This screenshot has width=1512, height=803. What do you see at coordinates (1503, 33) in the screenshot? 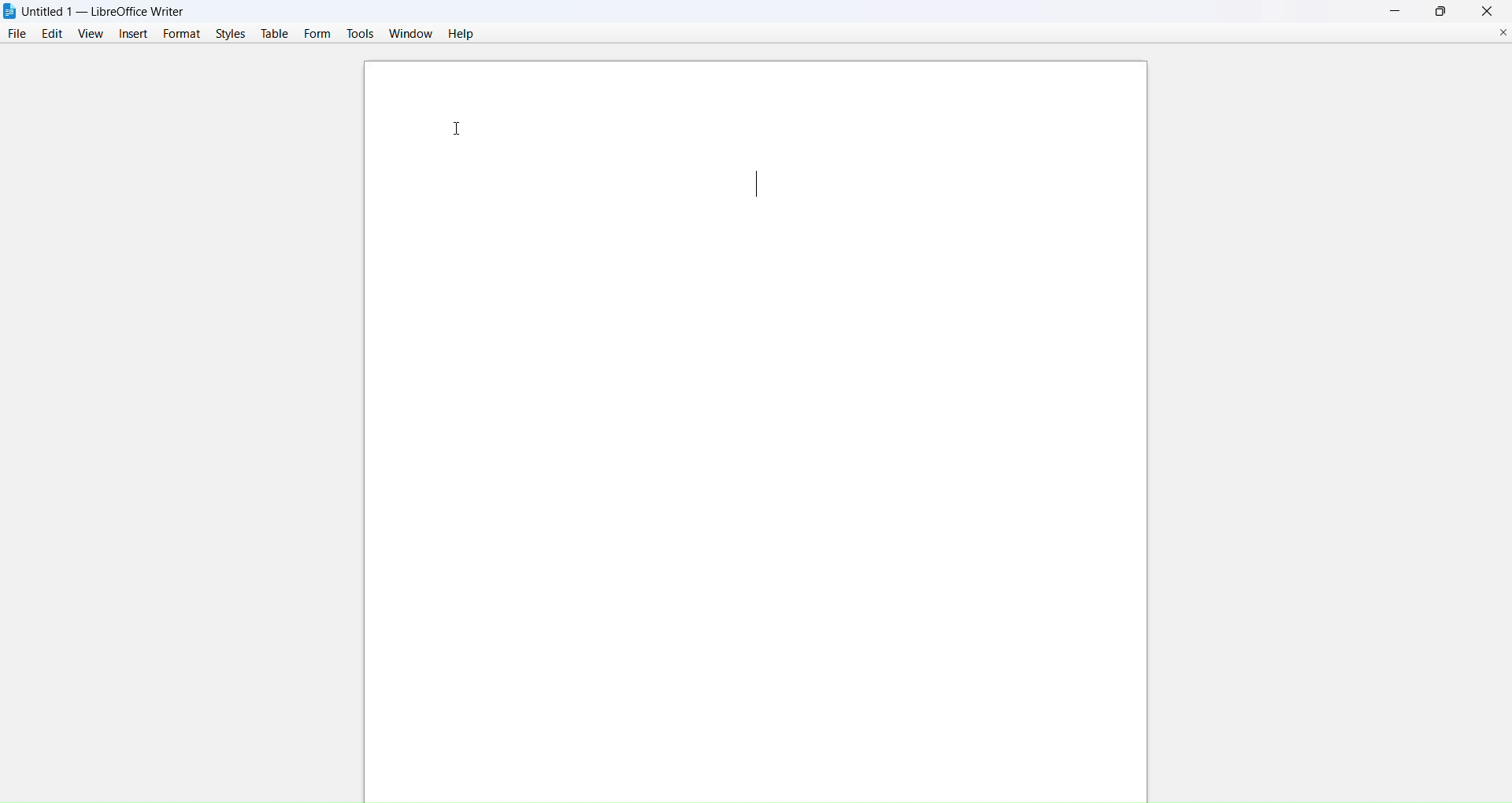
I see `close current document` at bounding box center [1503, 33].